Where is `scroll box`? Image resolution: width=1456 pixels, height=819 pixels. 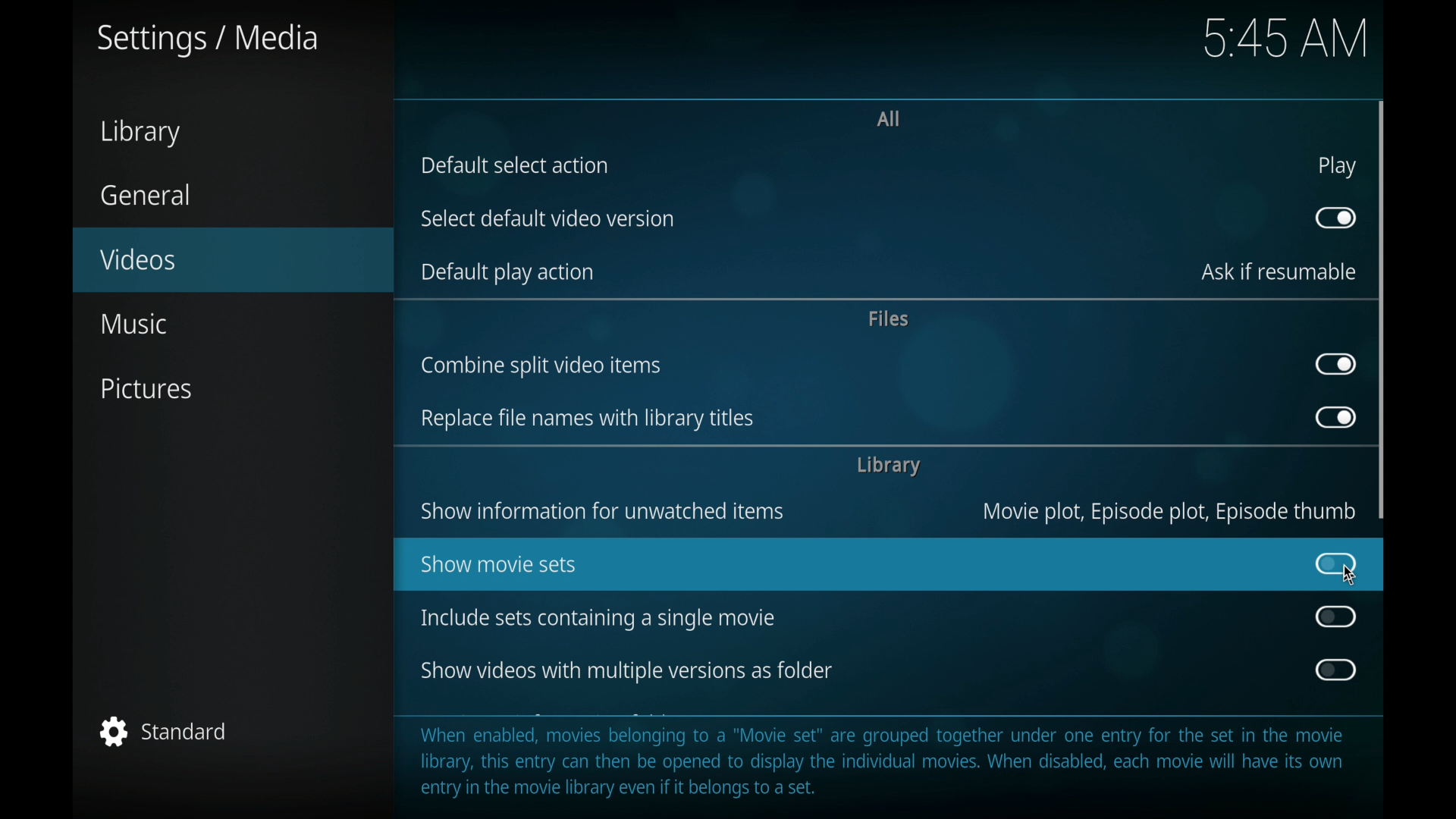 scroll box is located at coordinates (1382, 309).